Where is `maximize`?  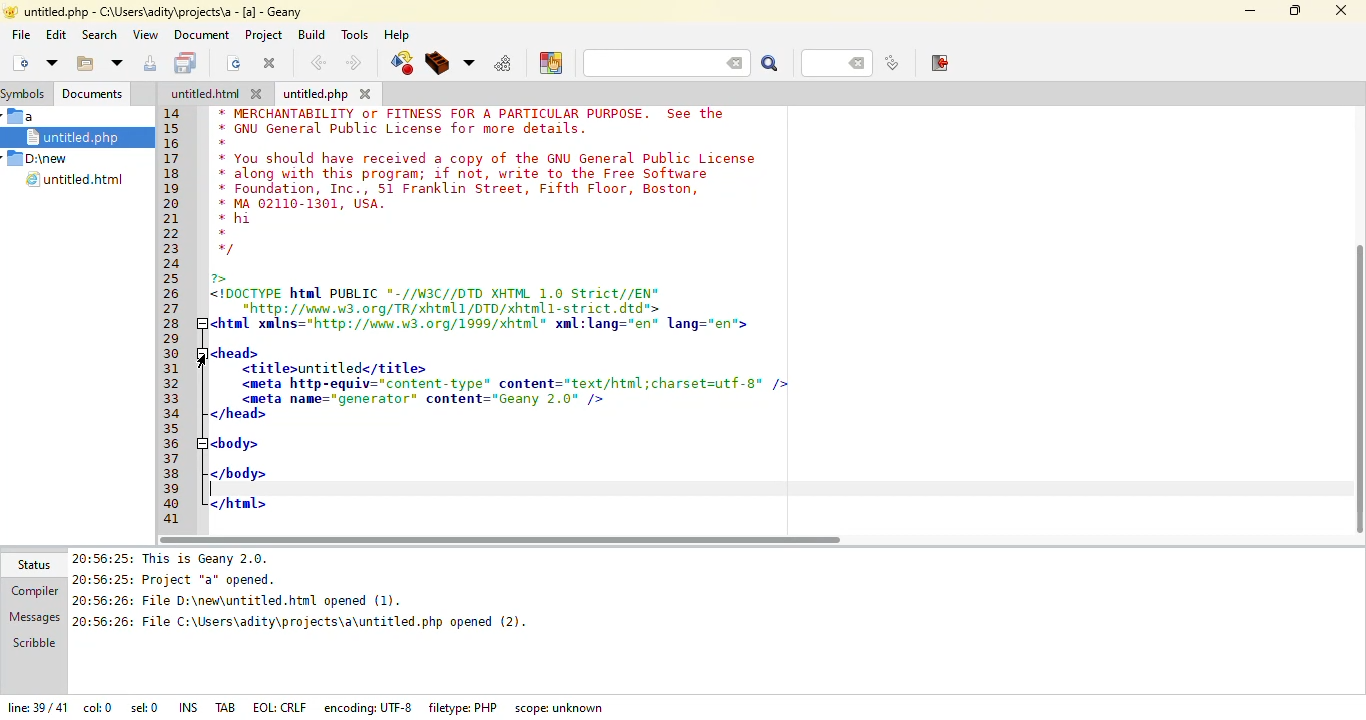
maximize is located at coordinates (1295, 9).